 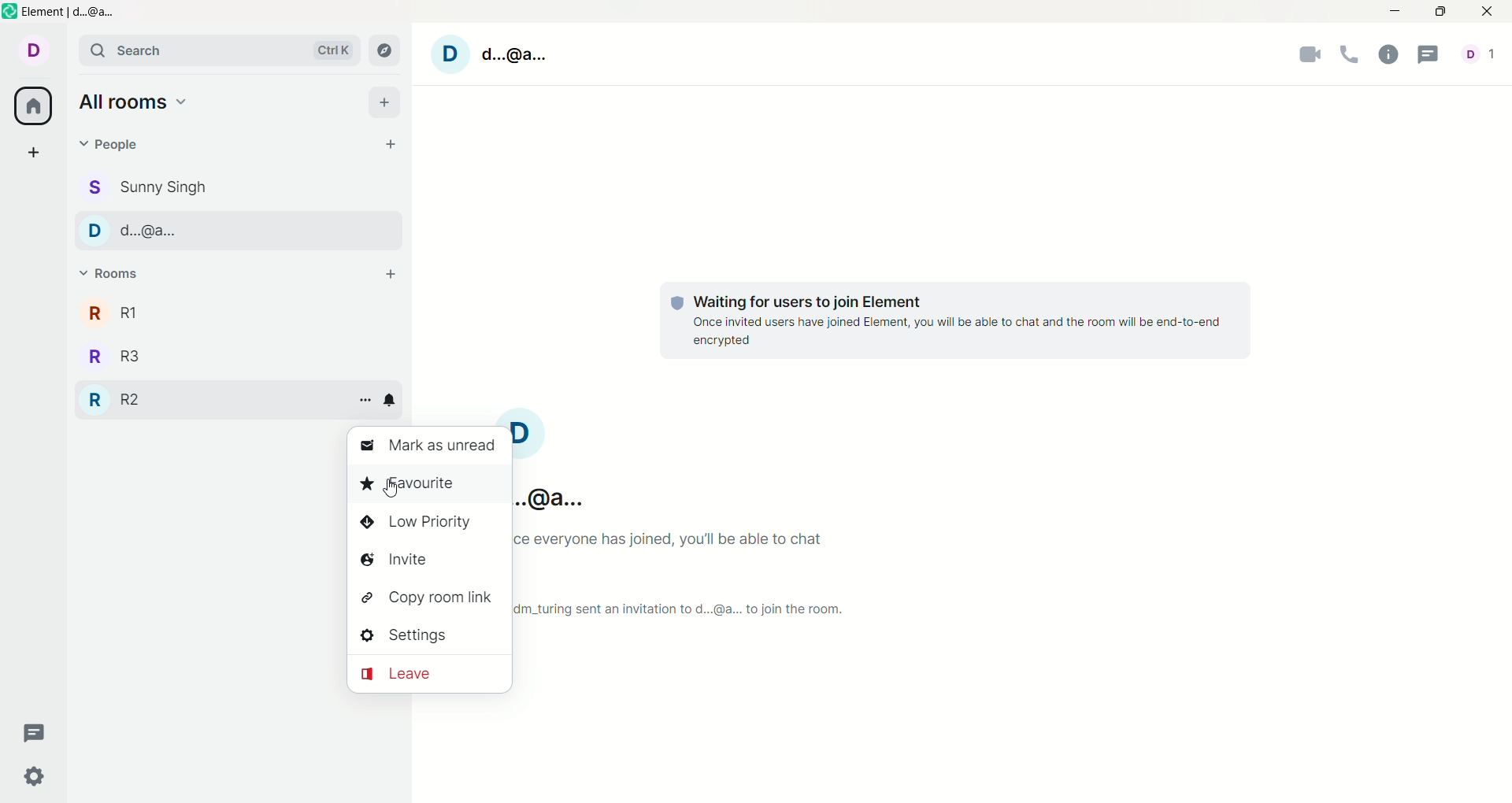 I want to click on text, so click(x=691, y=574).